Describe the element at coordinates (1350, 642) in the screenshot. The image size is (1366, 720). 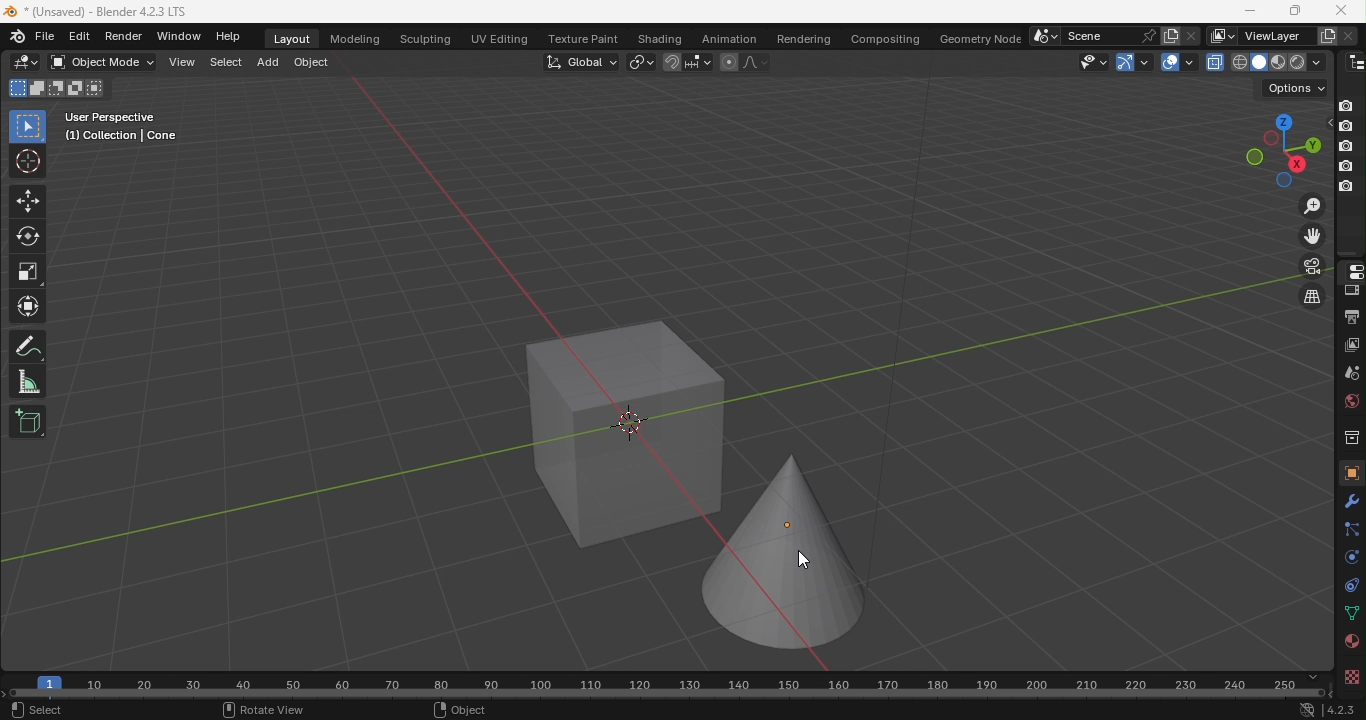
I see `Material` at that location.